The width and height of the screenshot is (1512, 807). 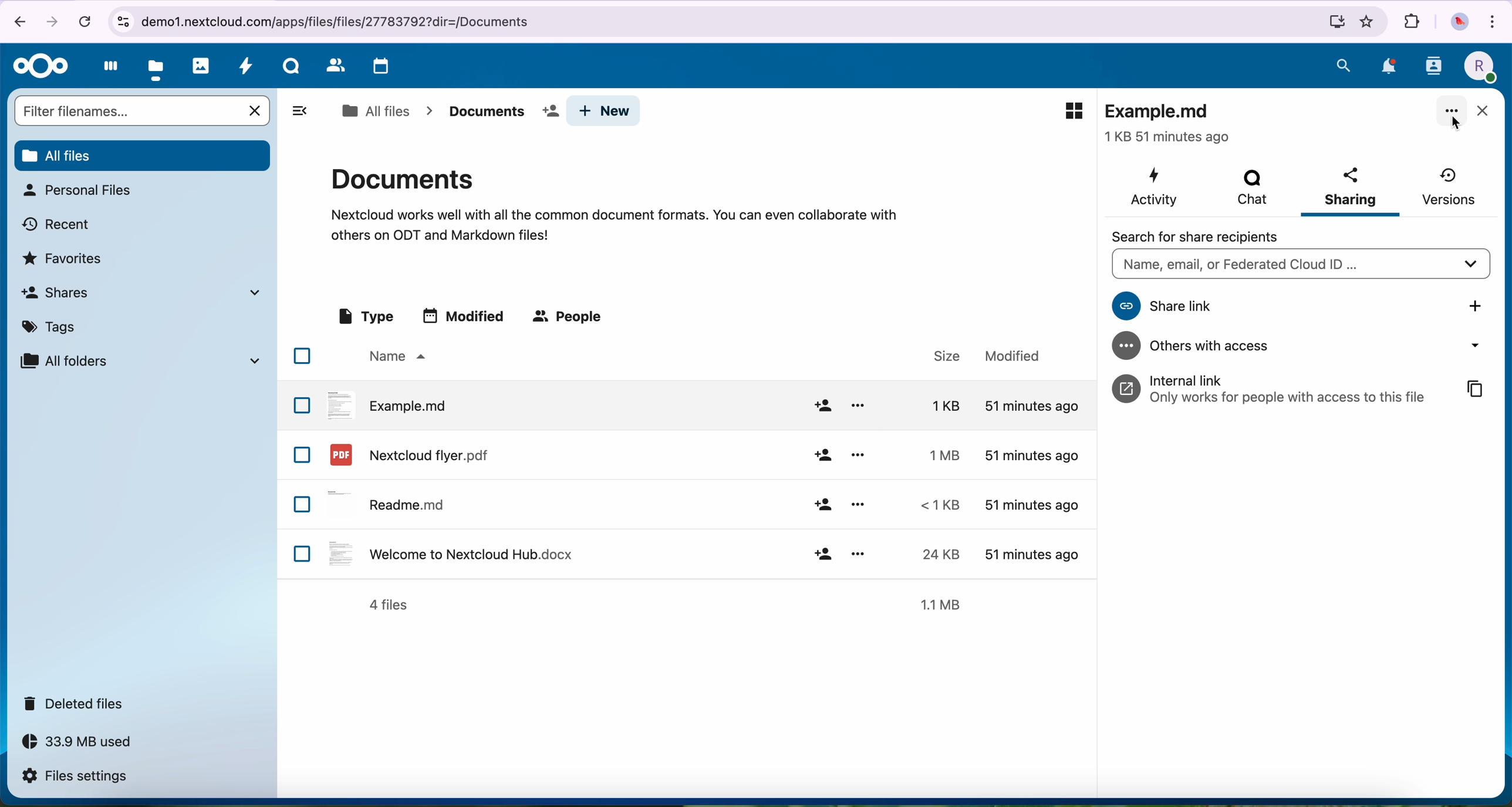 What do you see at coordinates (1265, 388) in the screenshot?
I see `internal link` at bounding box center [1265, 388].